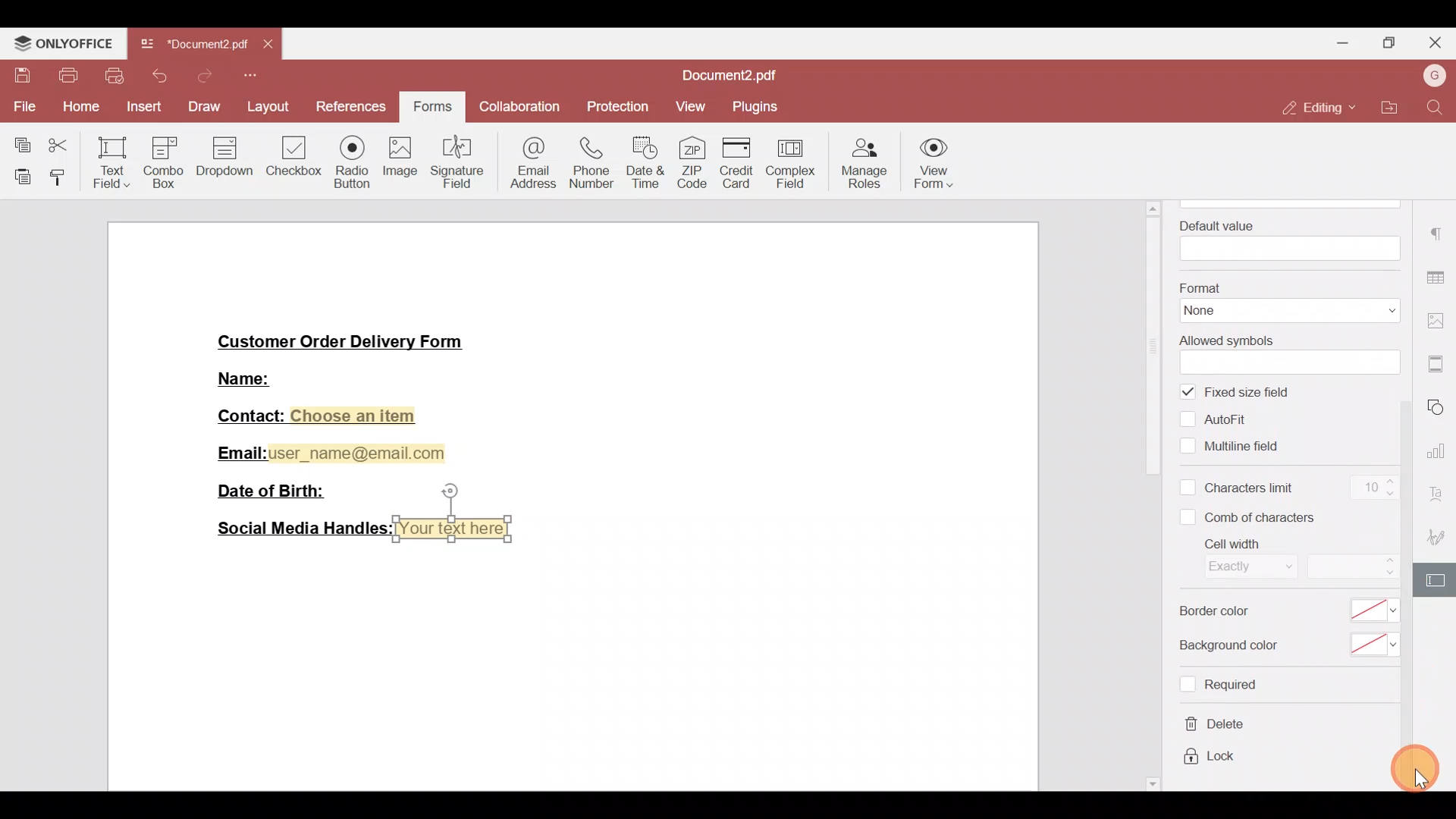 Image resolution: width=1456 pixels, height=819 pixels. Describe the element at coordinates (1438, 359) in the screenshot. I see `More settings` at that location.